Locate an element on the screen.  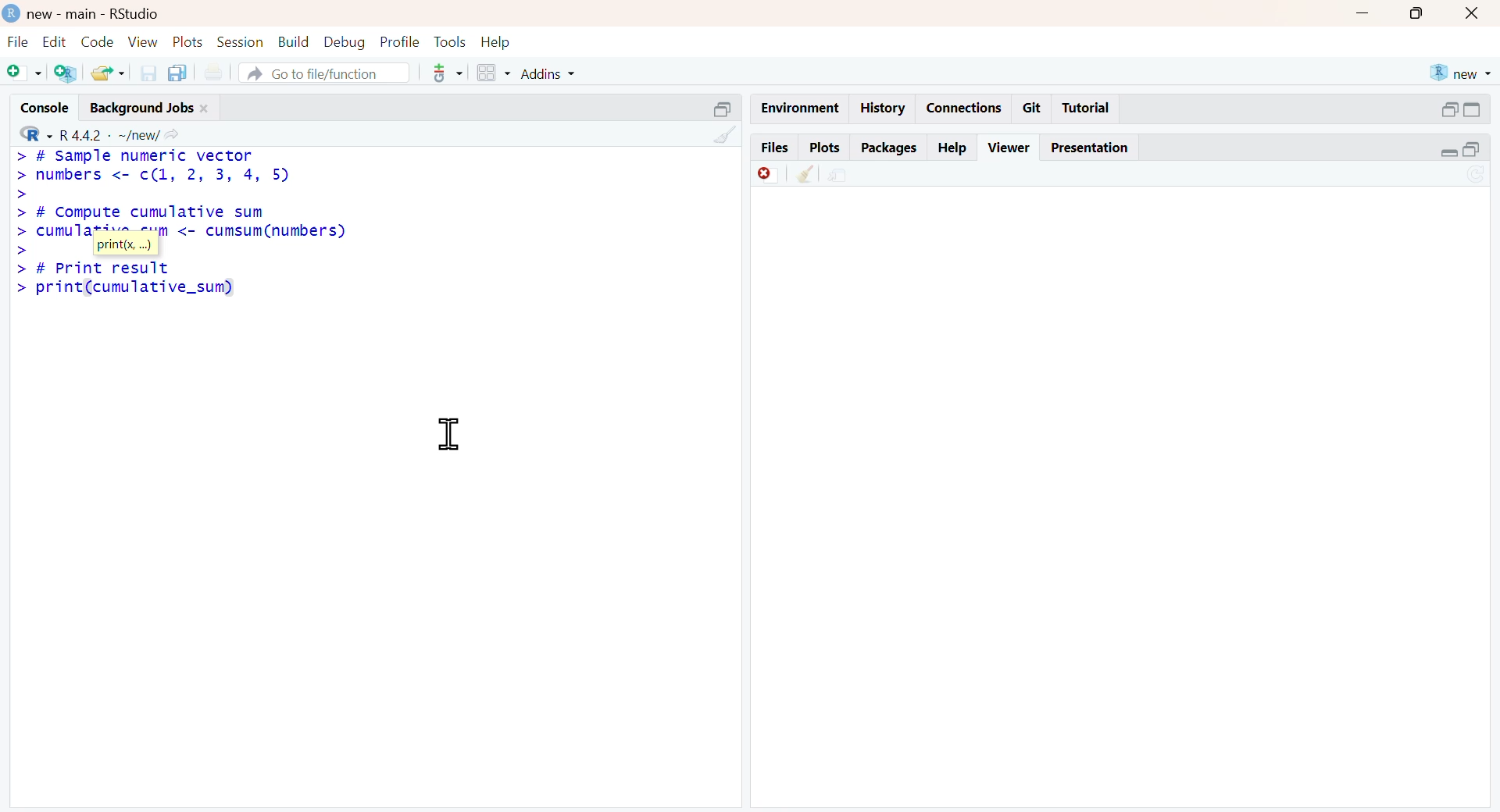
tools is located at coordinates (449, 73).